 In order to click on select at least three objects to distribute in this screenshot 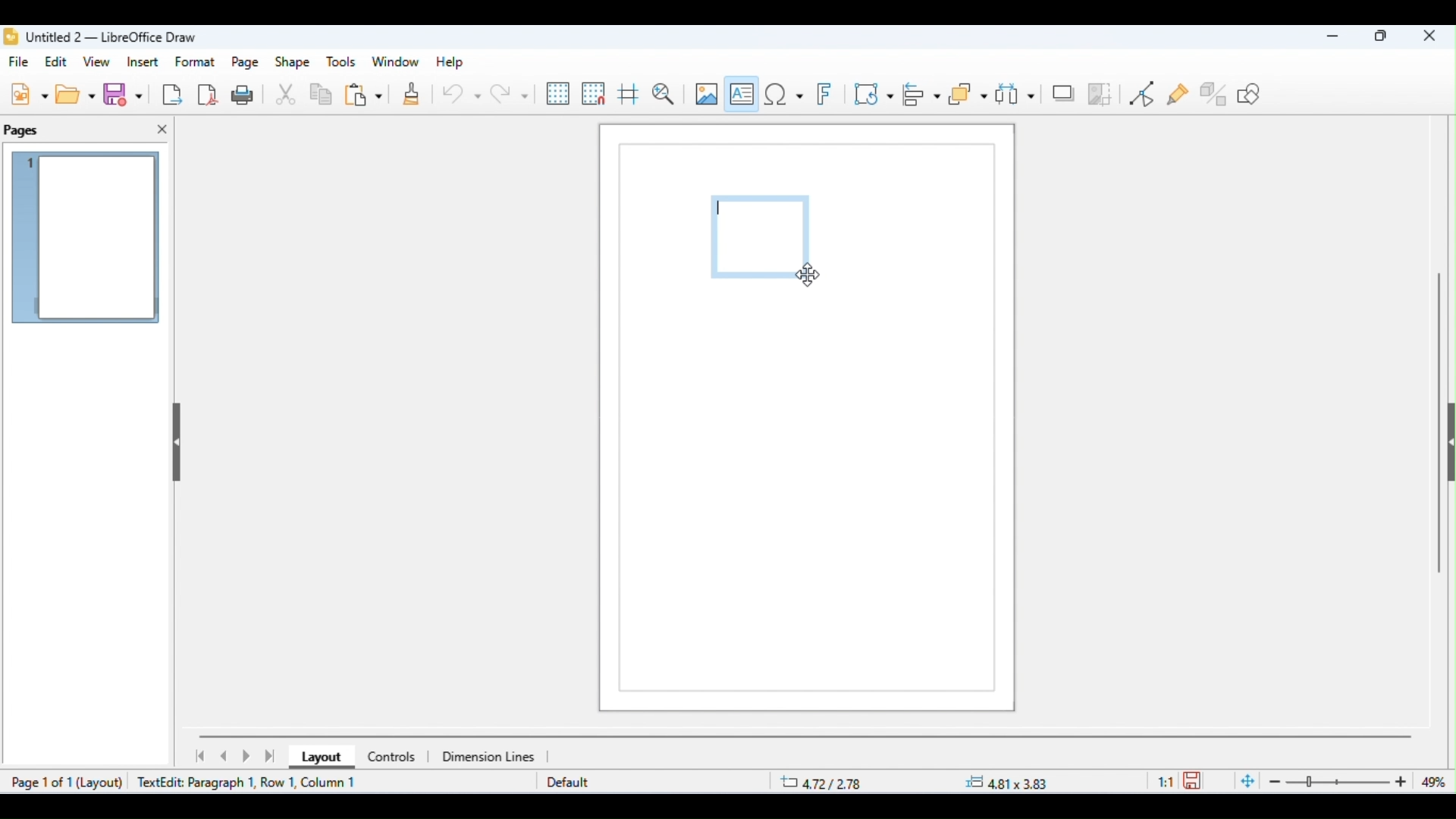, I will do `click(1015, 93)`.